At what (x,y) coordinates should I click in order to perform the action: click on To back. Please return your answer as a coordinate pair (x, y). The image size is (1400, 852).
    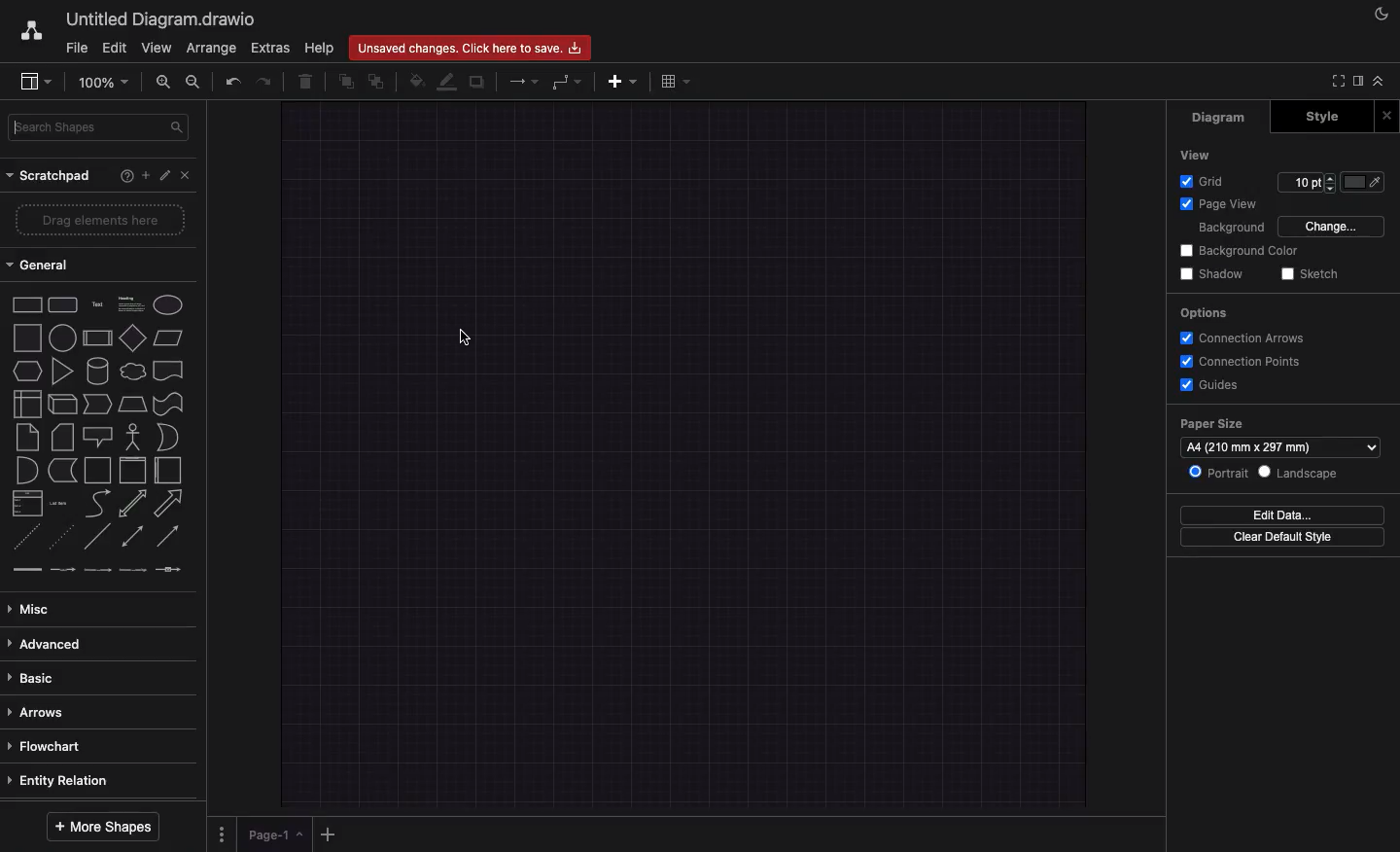
    Looking at the image, I should click on (378, 81).